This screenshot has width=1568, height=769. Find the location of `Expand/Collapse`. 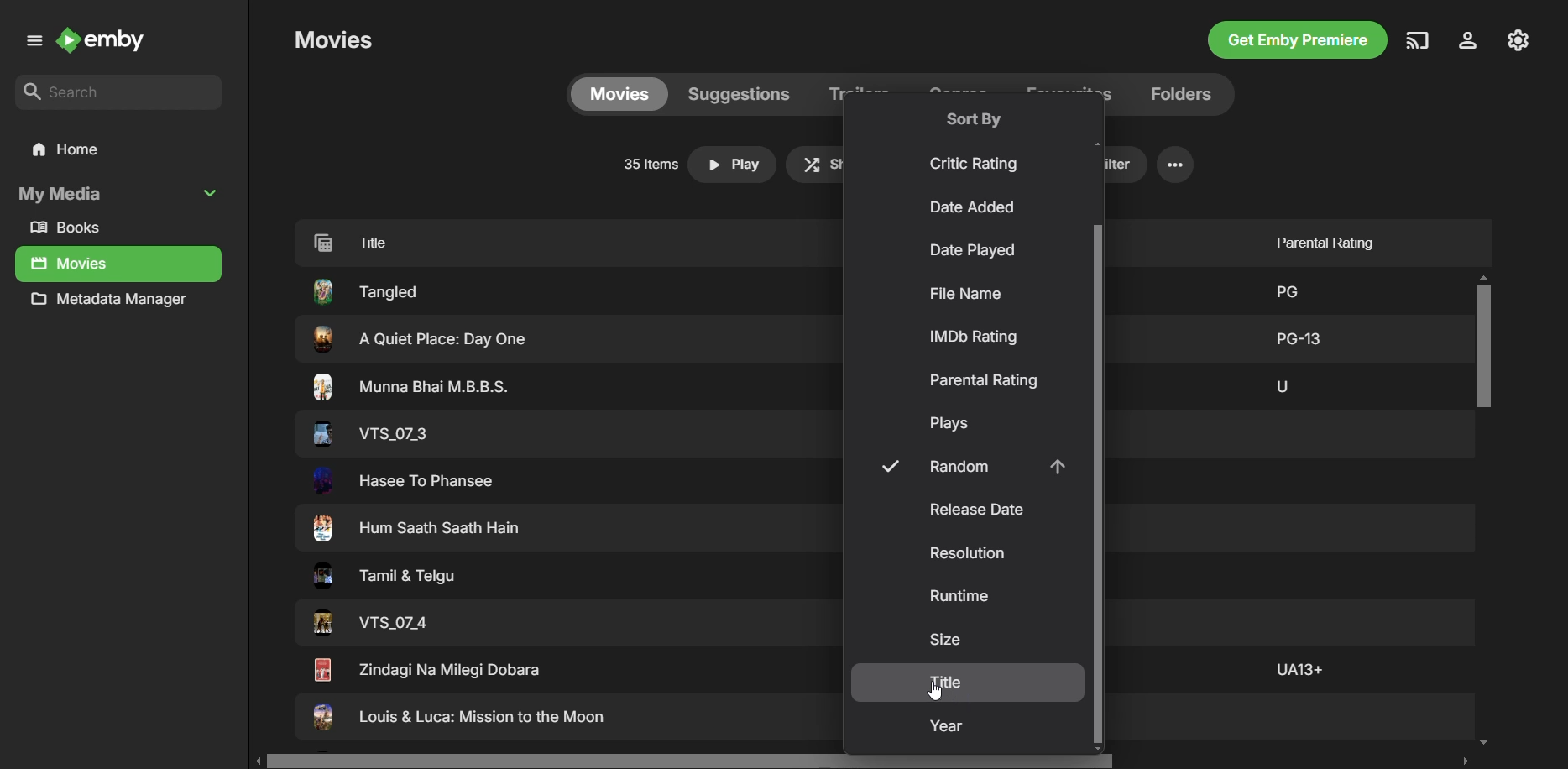

Expand/Collapse is located at coordinates (213, 192).